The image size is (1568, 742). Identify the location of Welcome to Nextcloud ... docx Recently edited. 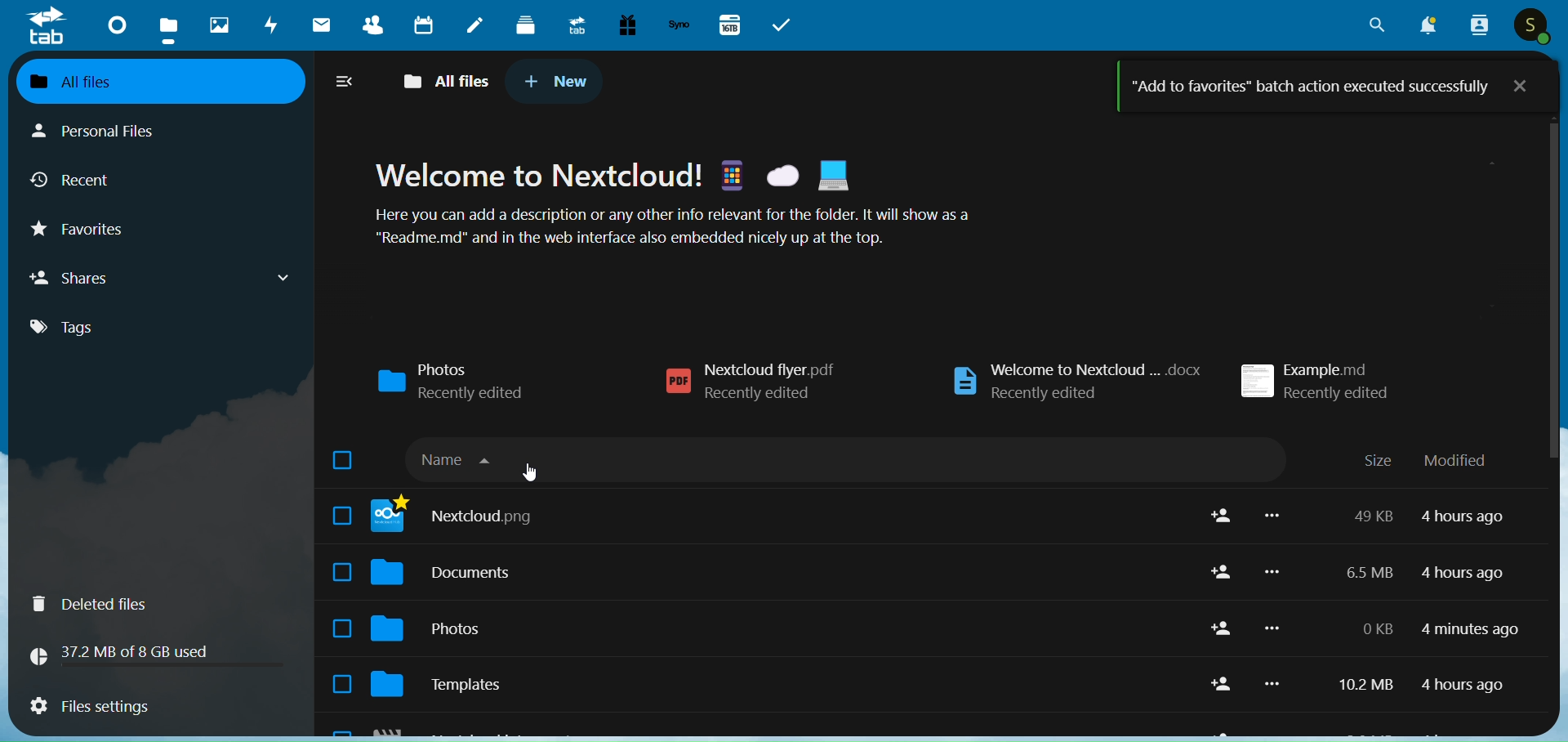
(1076, 382).